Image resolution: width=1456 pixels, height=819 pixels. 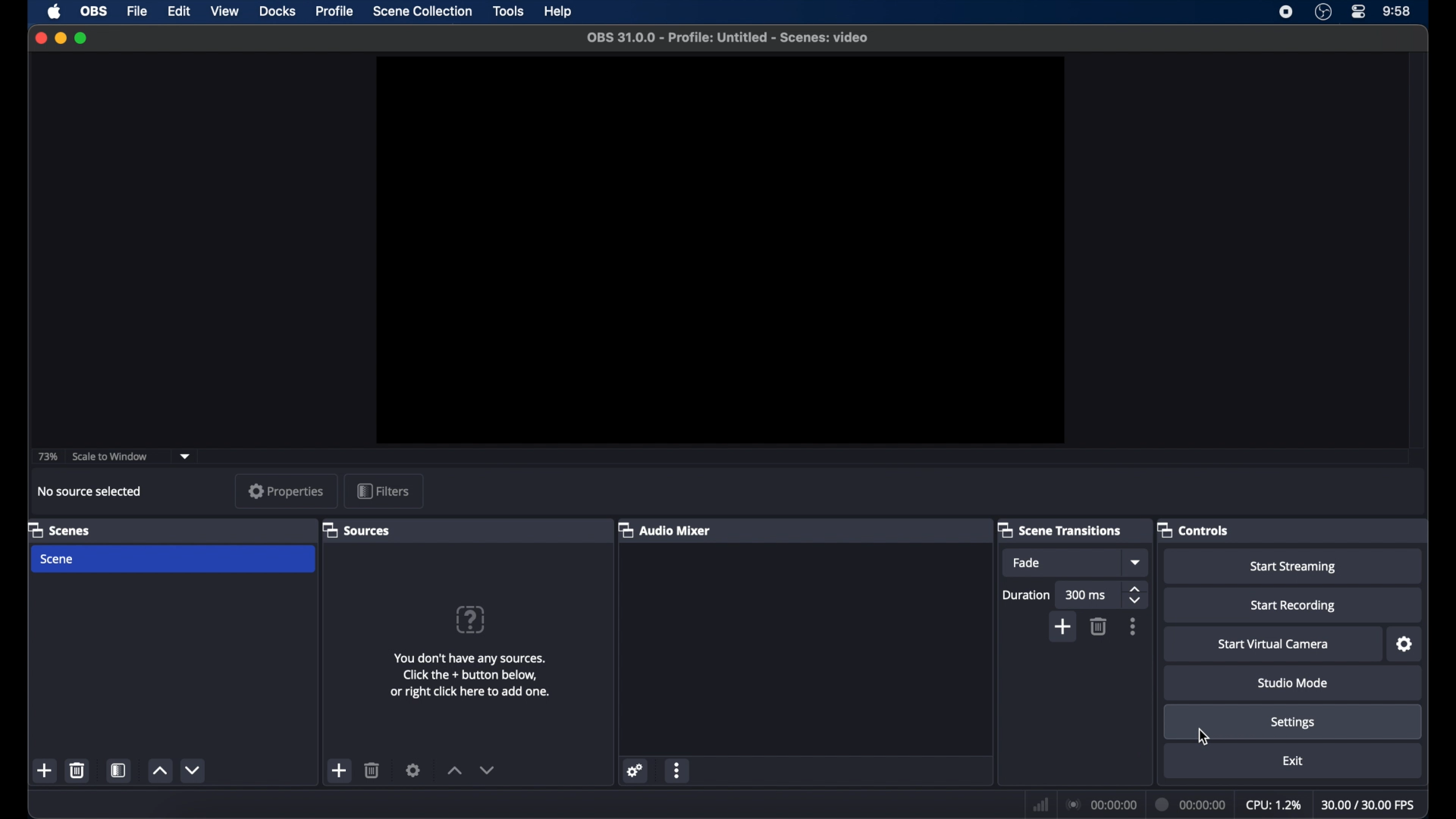 What do you see at coordinates (1203, 737) in the screenshot?
I see `cursor` at bounding box center [1203, 737].